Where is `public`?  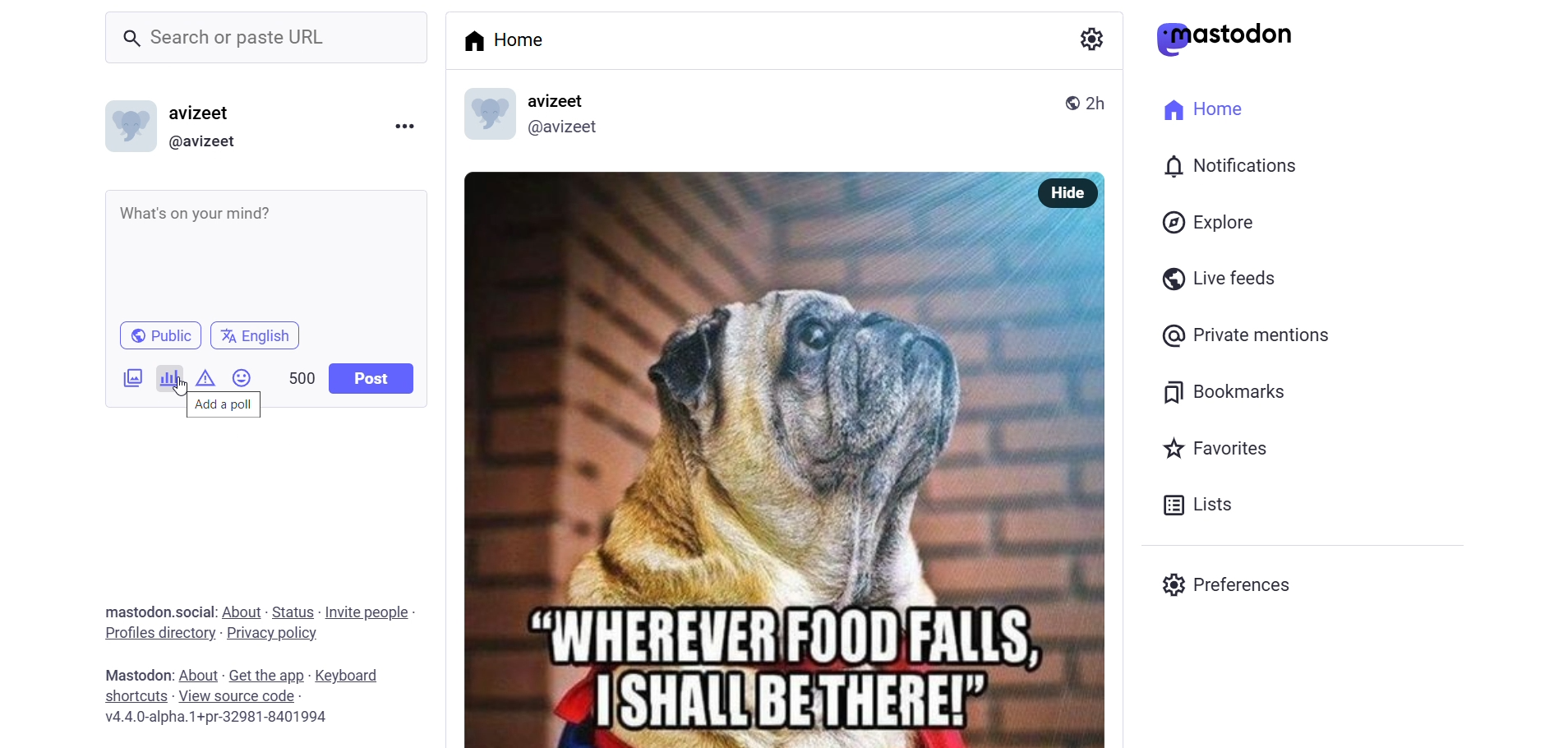
public is located at coordinates (1066, 101).